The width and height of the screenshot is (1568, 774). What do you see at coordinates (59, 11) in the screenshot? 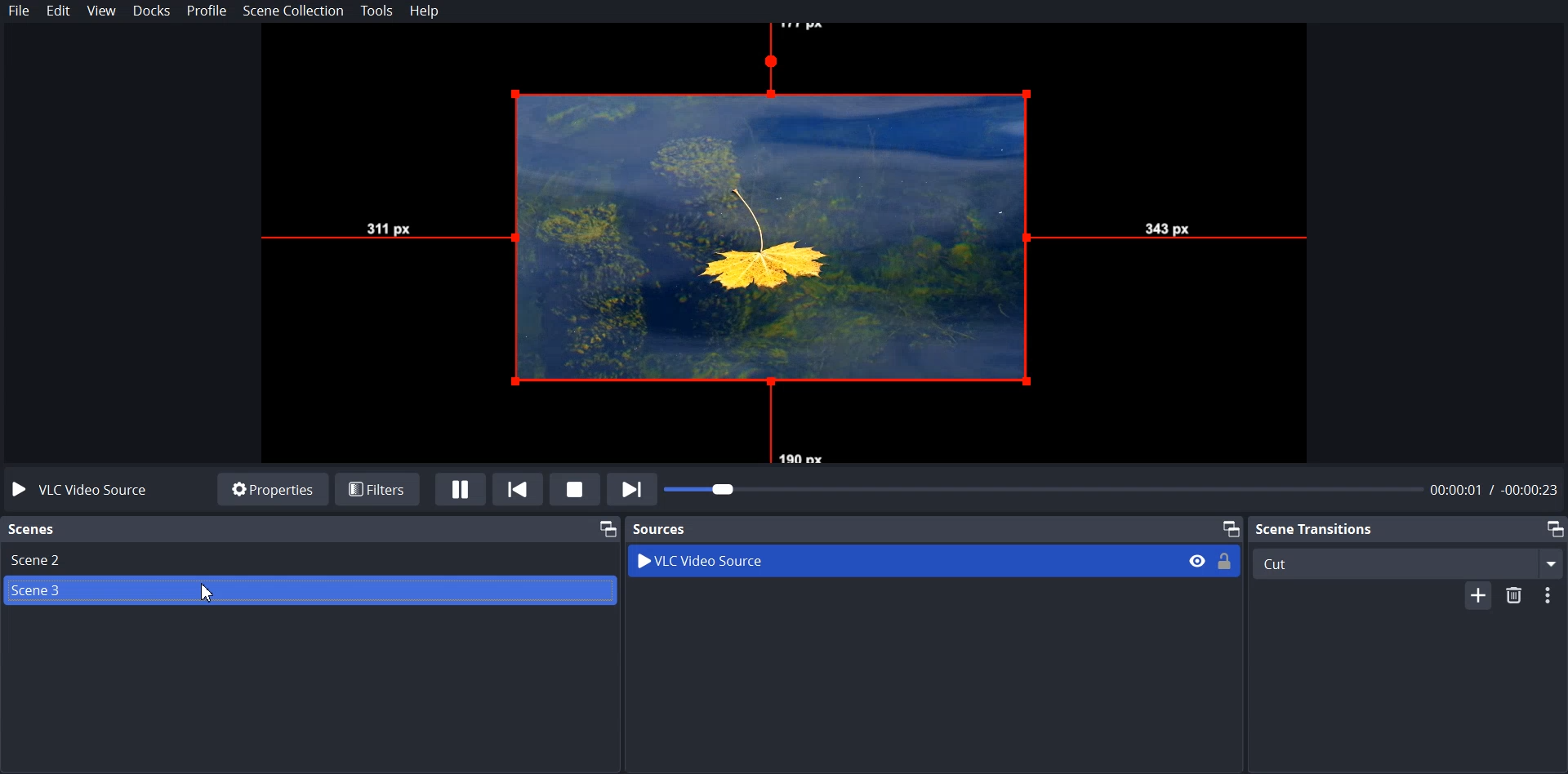
I see `Edit` at bounding box center [59, 11].